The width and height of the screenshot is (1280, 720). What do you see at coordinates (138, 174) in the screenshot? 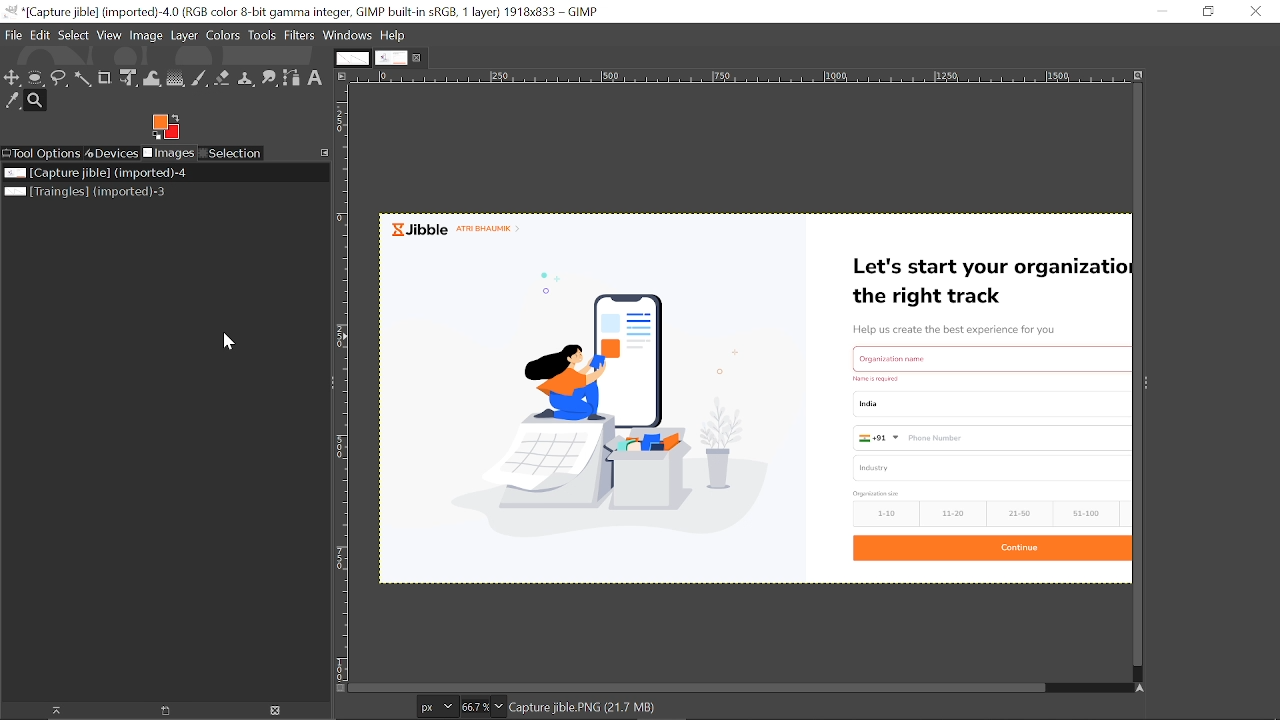
I see `Current file` at bounding box center [138, 174].